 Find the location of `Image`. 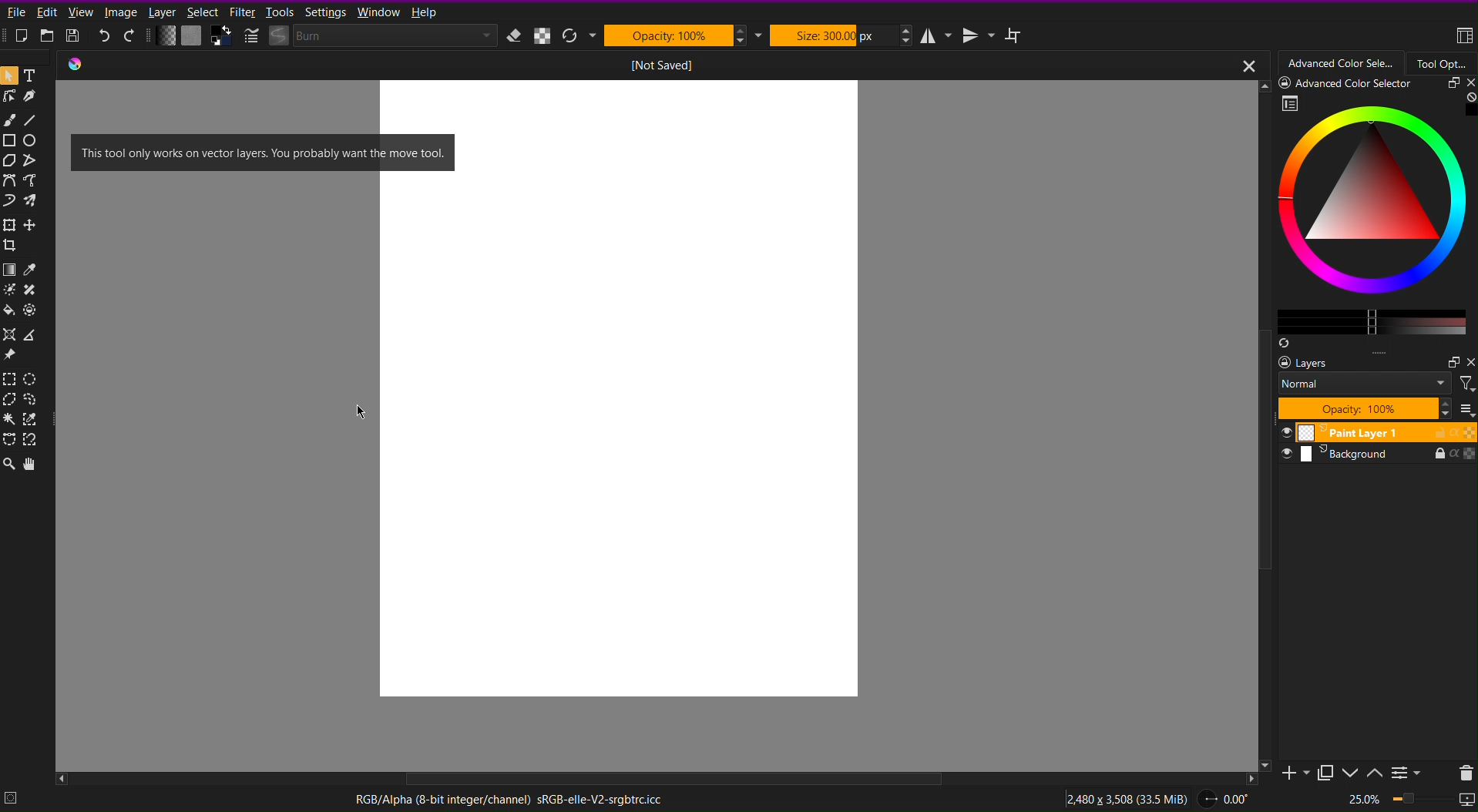

Image is located at coordinates (119, 12).